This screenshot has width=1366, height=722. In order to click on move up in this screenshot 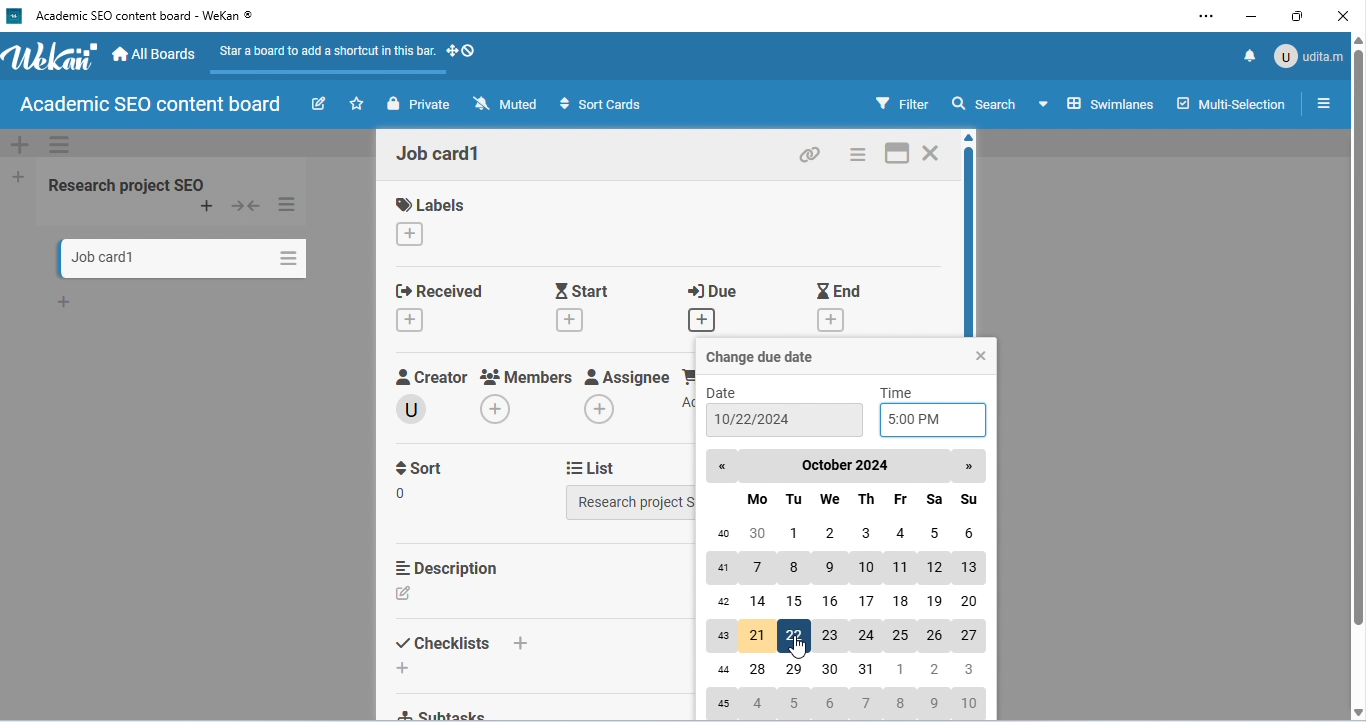, I will do `click(972, 139)`.